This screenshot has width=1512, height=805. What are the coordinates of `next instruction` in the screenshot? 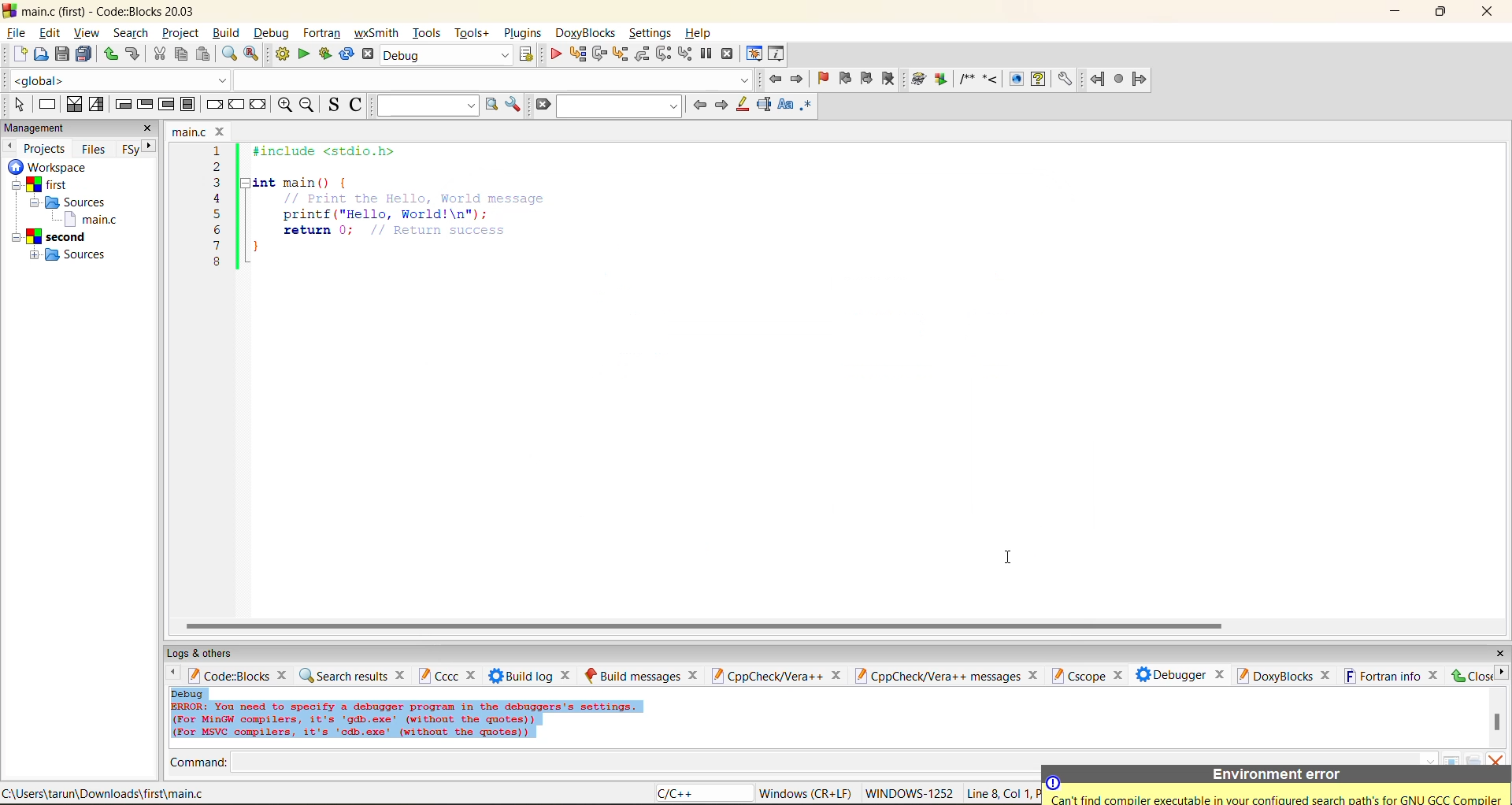 It's located at (663, 54).